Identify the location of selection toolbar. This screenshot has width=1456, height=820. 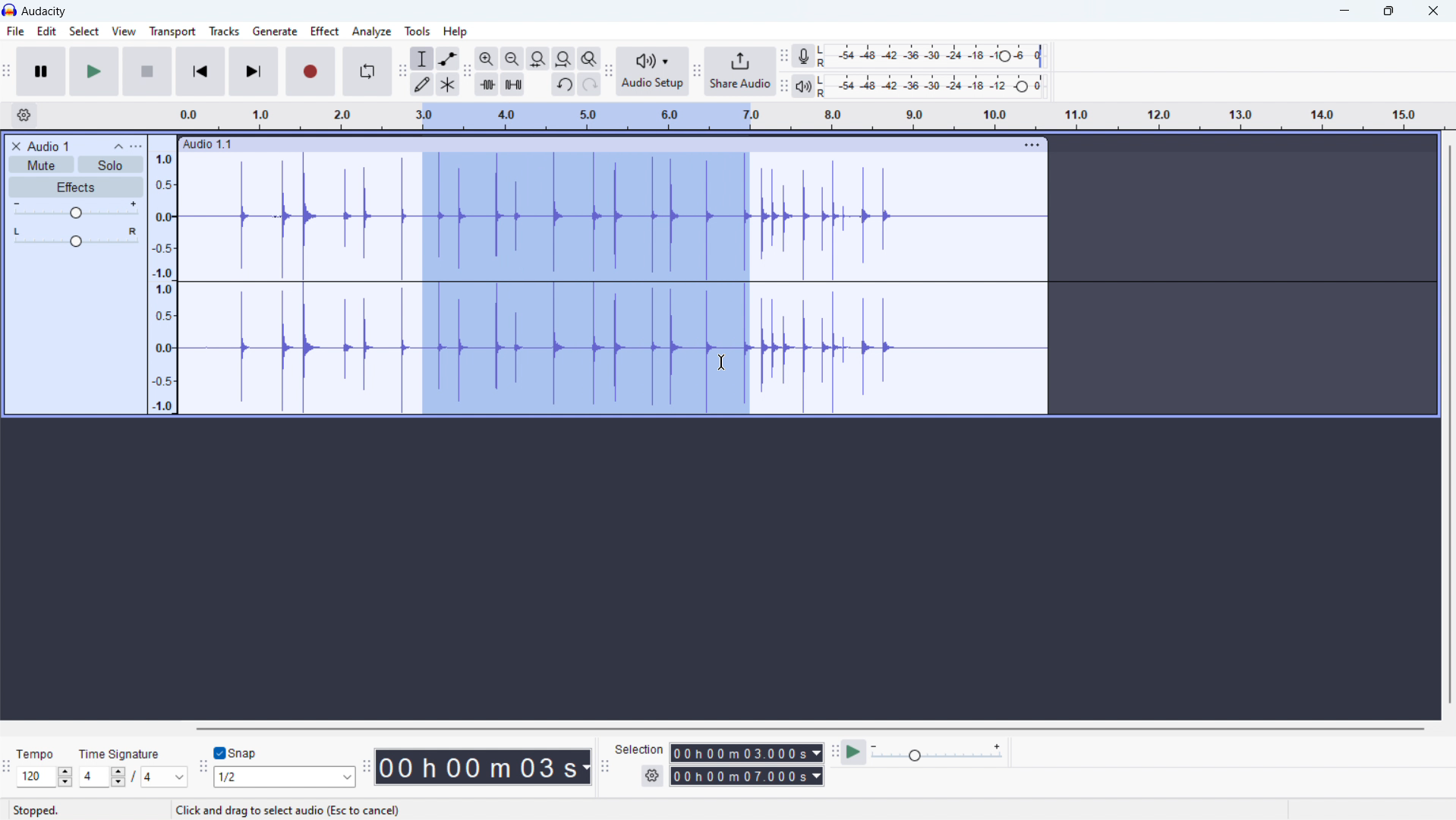
(604, 766).